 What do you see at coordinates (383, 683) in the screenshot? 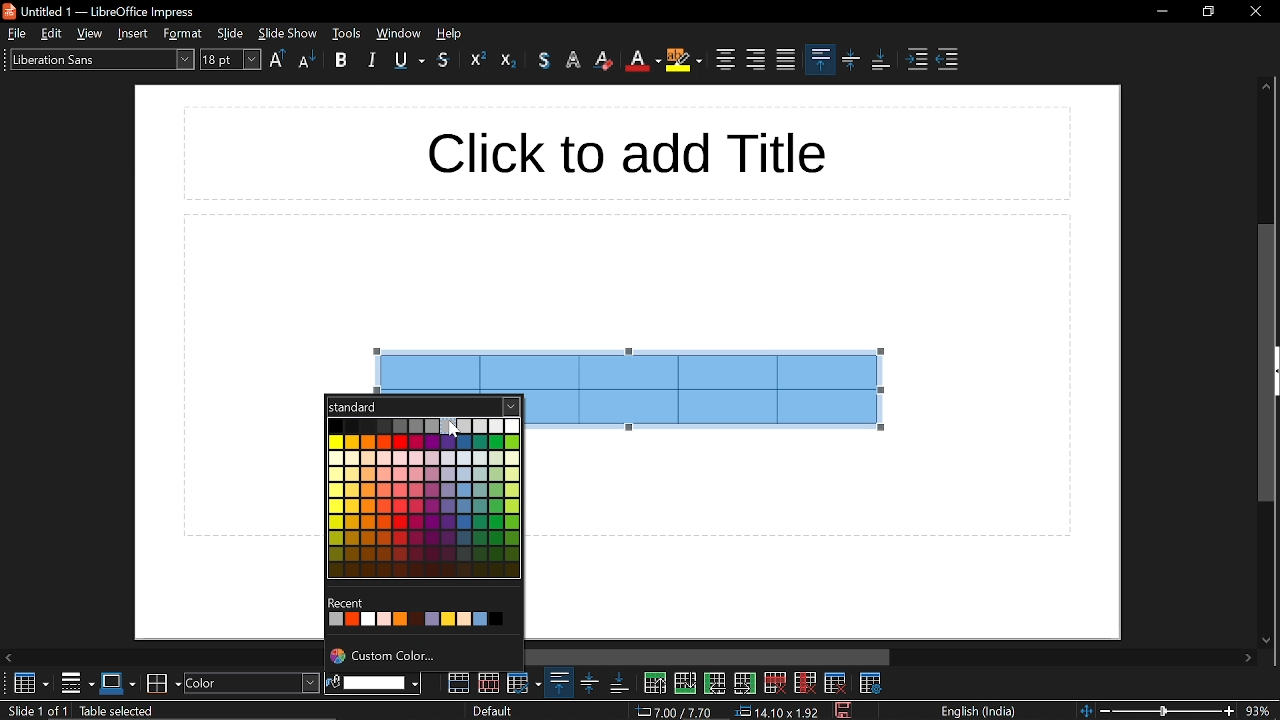
I see `fill color` at bounding box center [383, 683].